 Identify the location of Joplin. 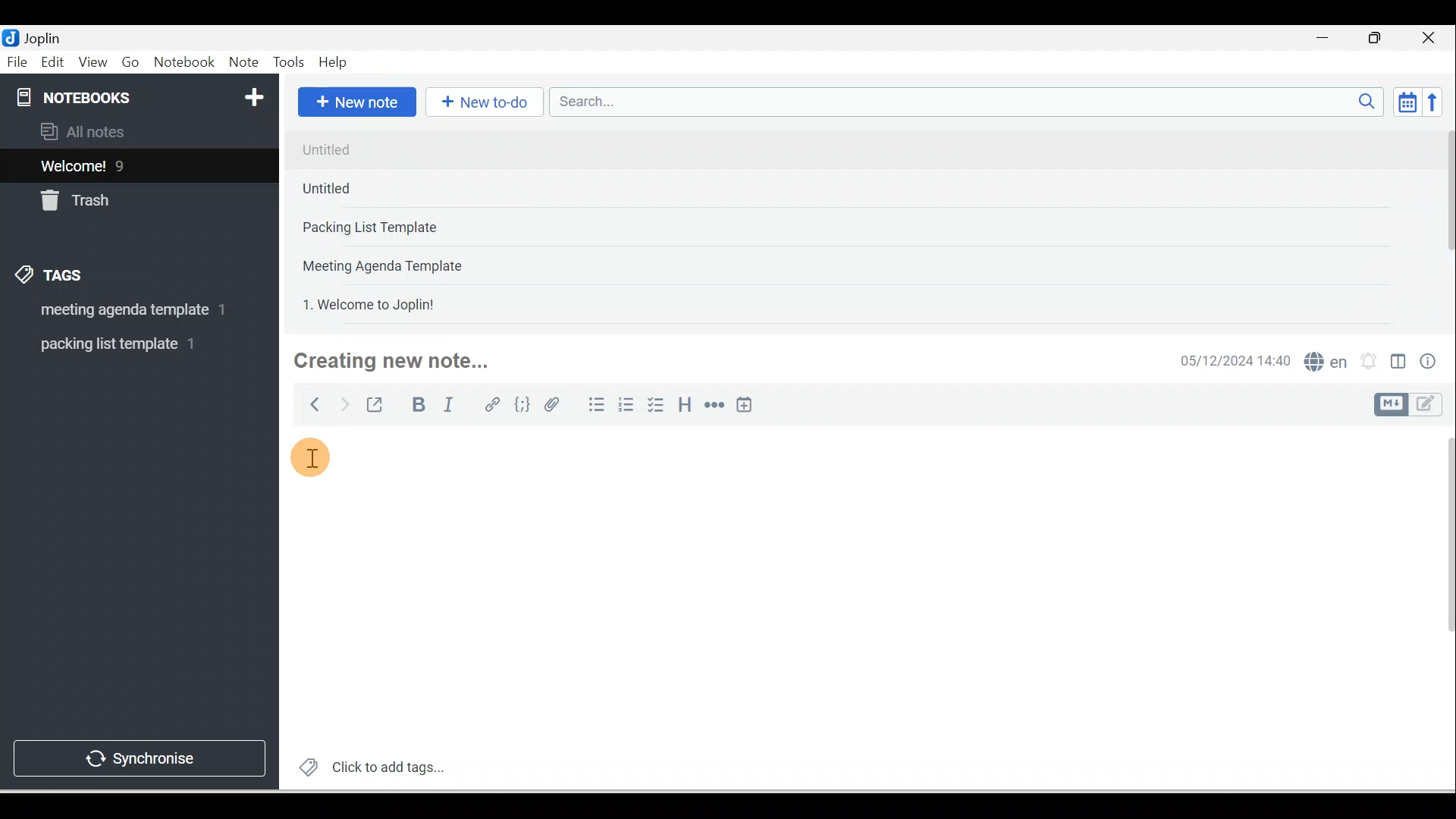
(46, 36).